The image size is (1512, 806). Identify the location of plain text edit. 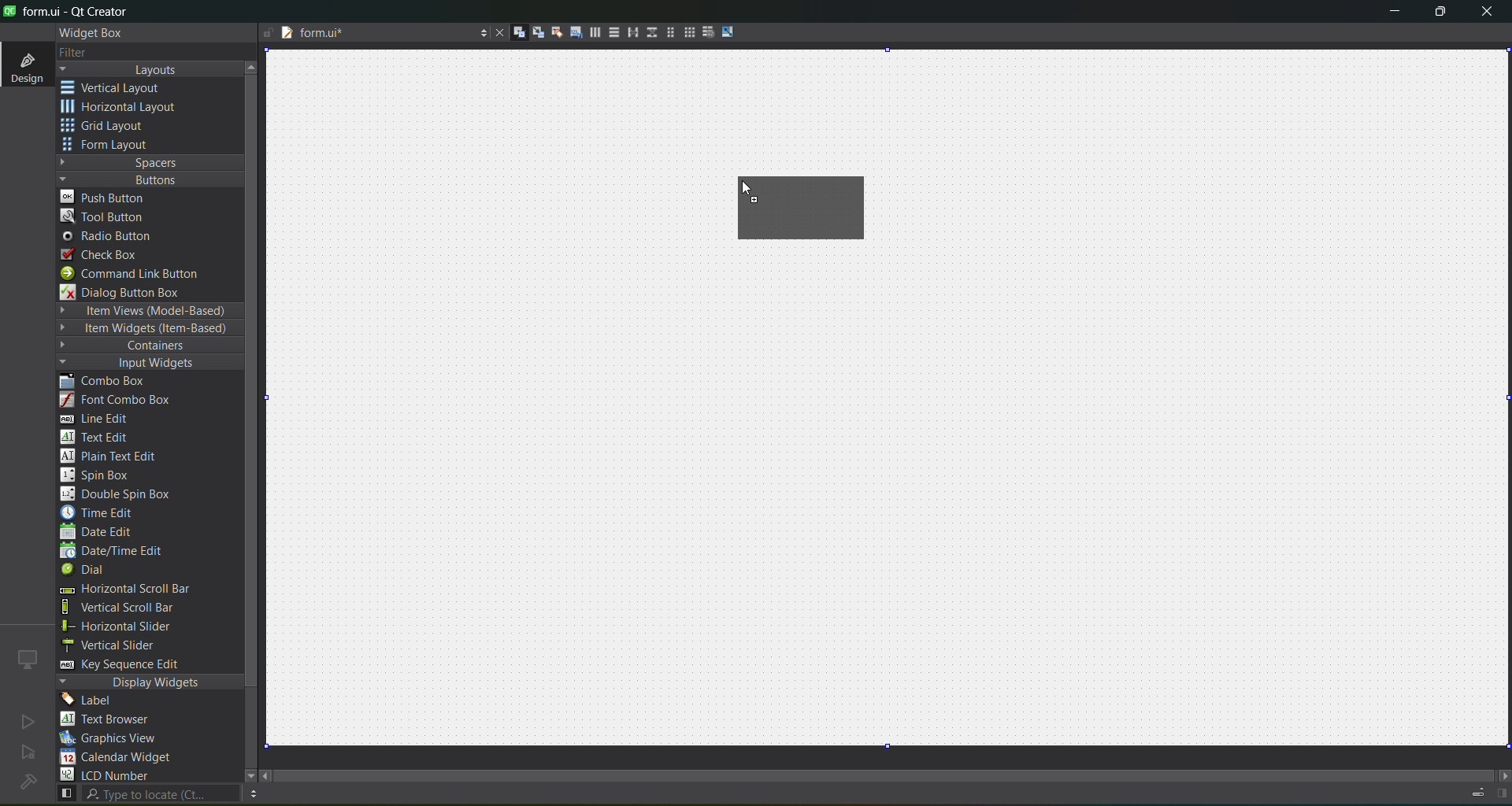
(115, 457).